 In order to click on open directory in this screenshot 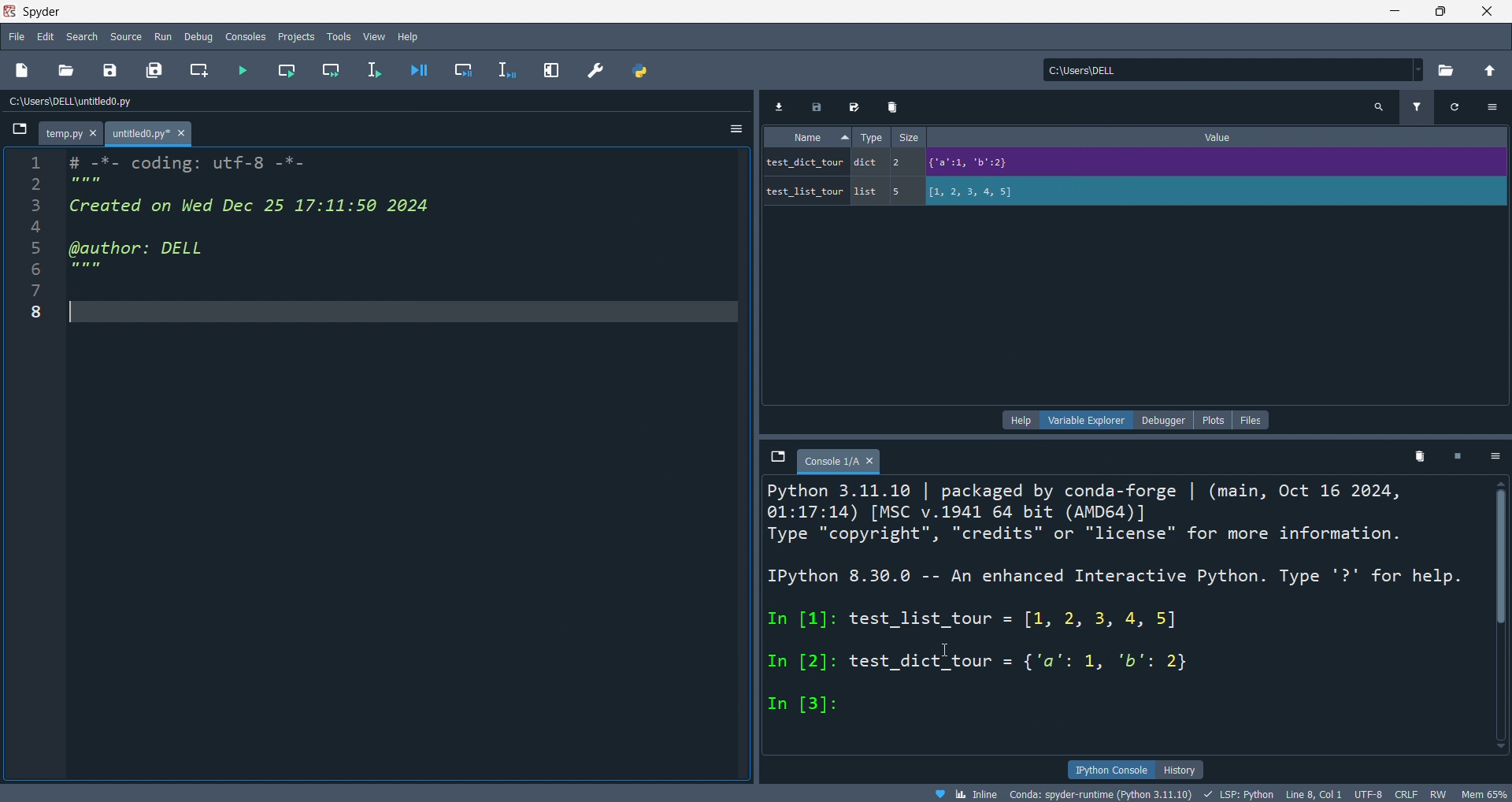, I will do `click(1489, 71)`.